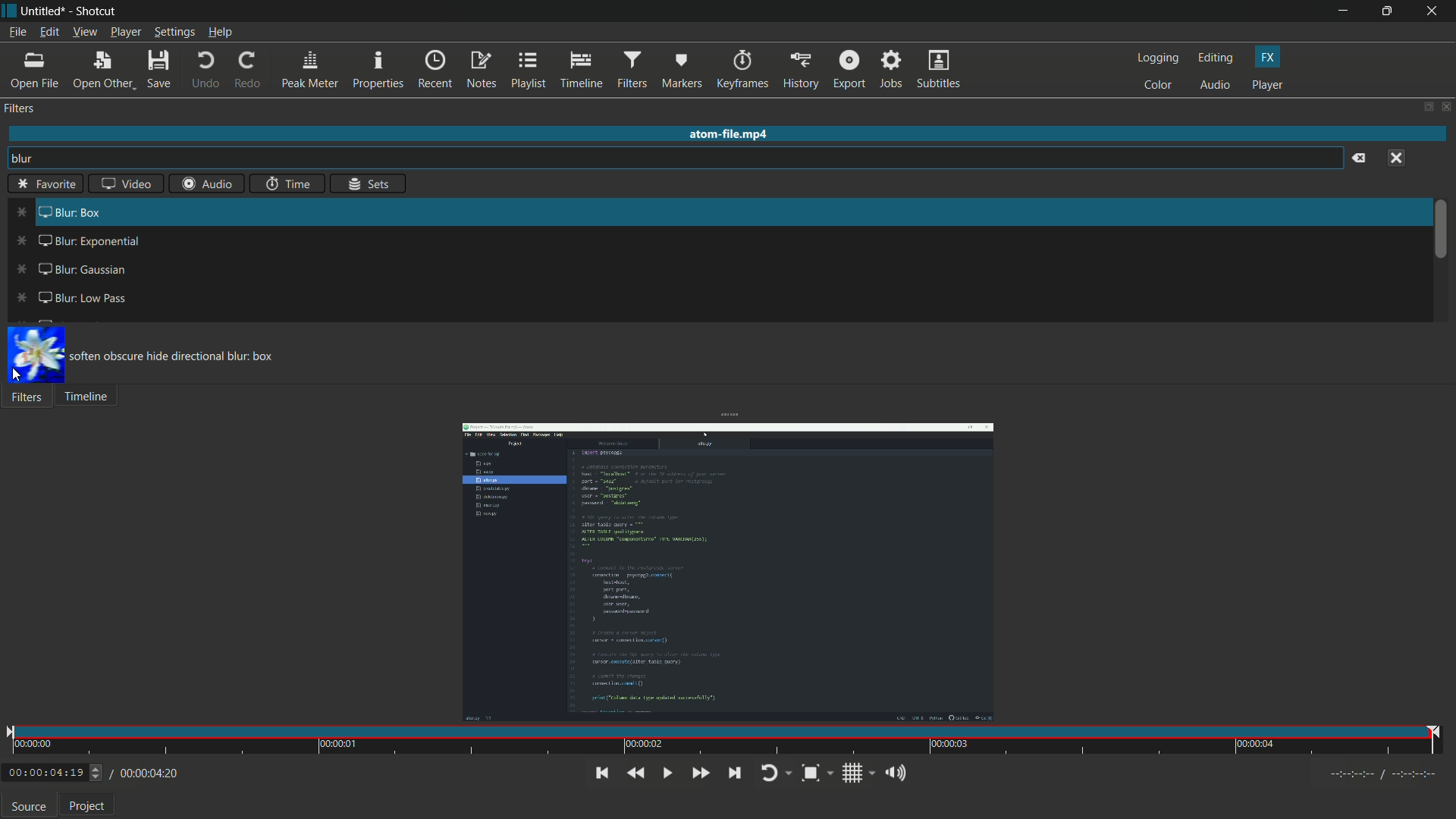  I want to click on blur exponential, so click(77, 242).